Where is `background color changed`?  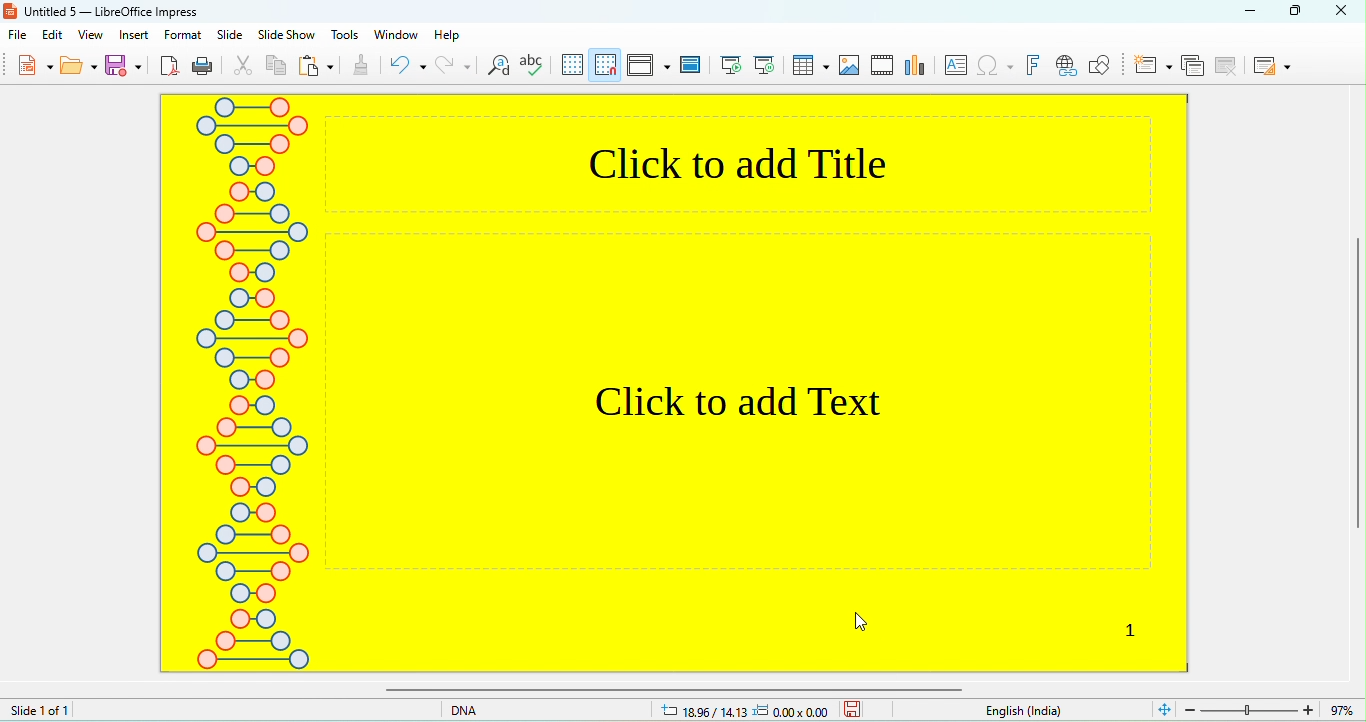 background color changed is located at coordinates (755, 381).